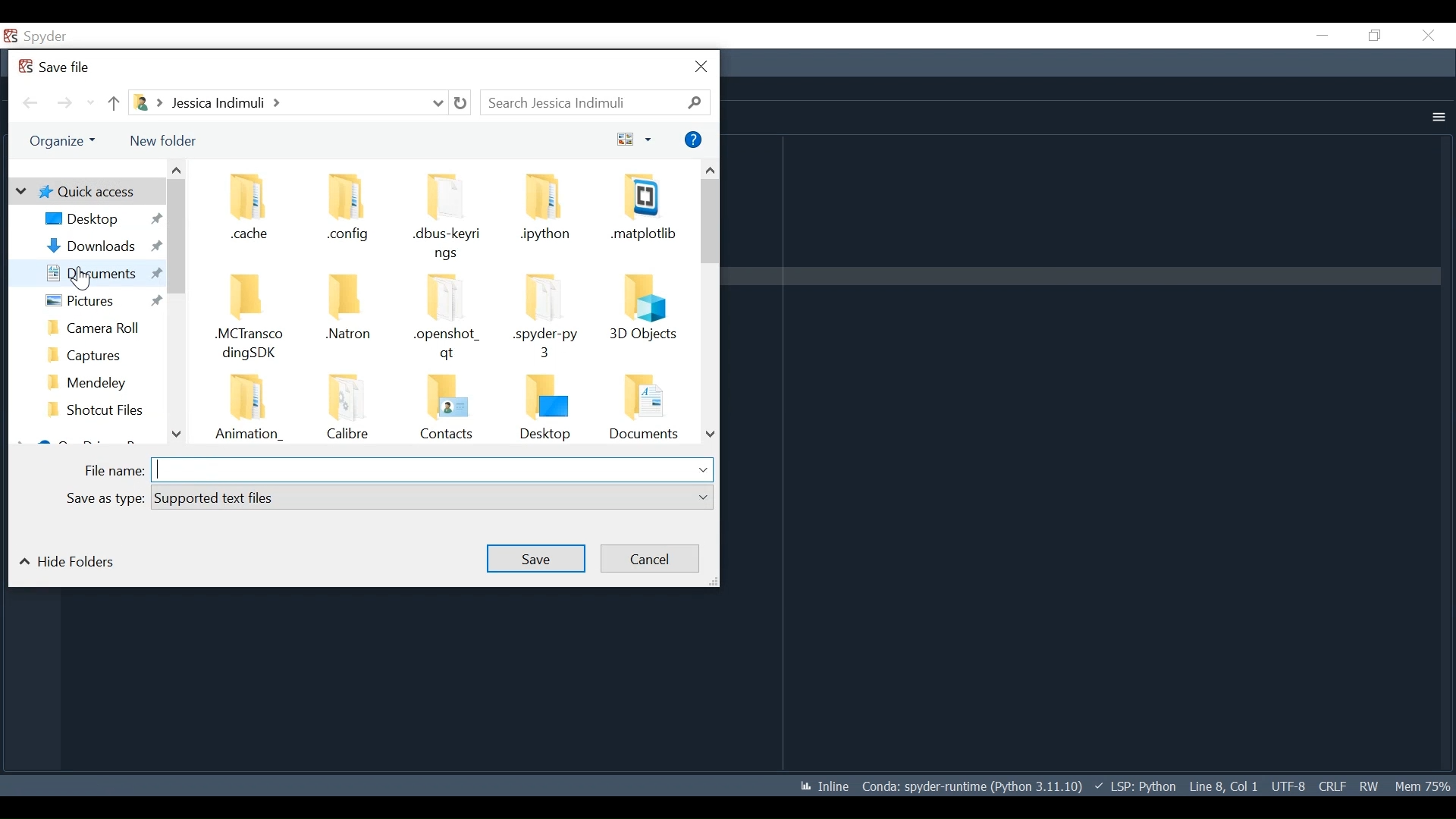 The width and height of the screenshot is (1456, 819). Describe the element at coordinates (84, 191) in the screenshot. I see `Quick Access` at that location.